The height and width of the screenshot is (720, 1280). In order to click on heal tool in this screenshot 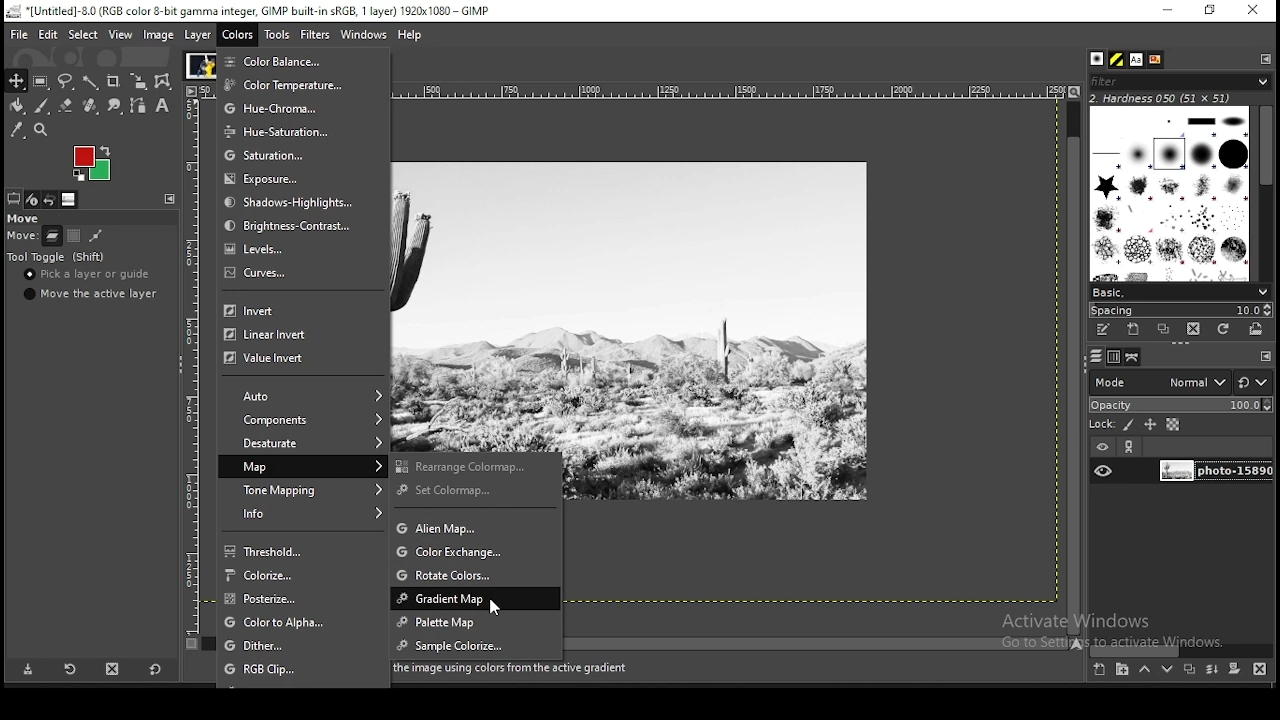, I will do `click(93, 105)`.